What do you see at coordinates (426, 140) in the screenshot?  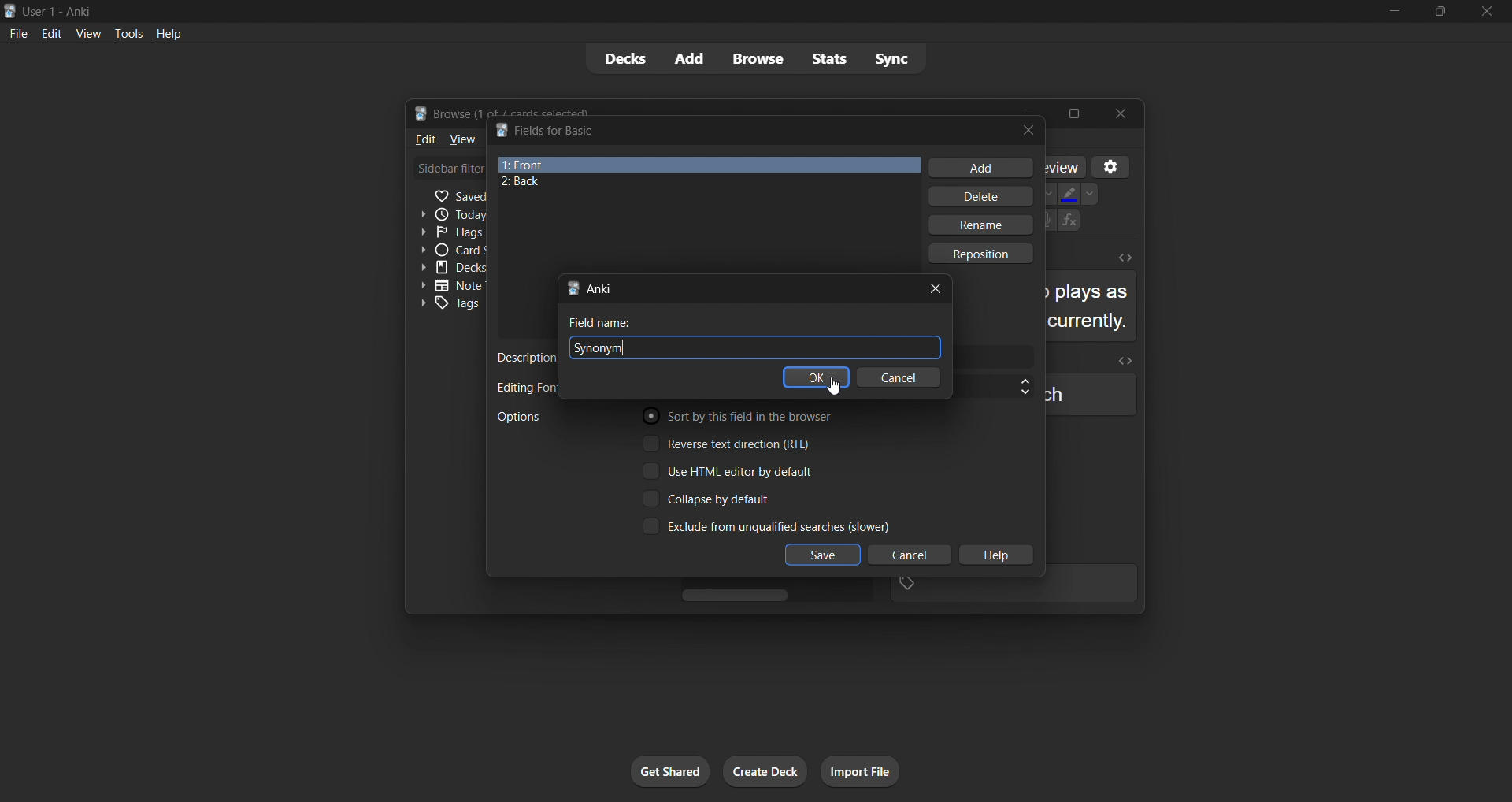 I see `Edit` at bounding box center [426, 140].